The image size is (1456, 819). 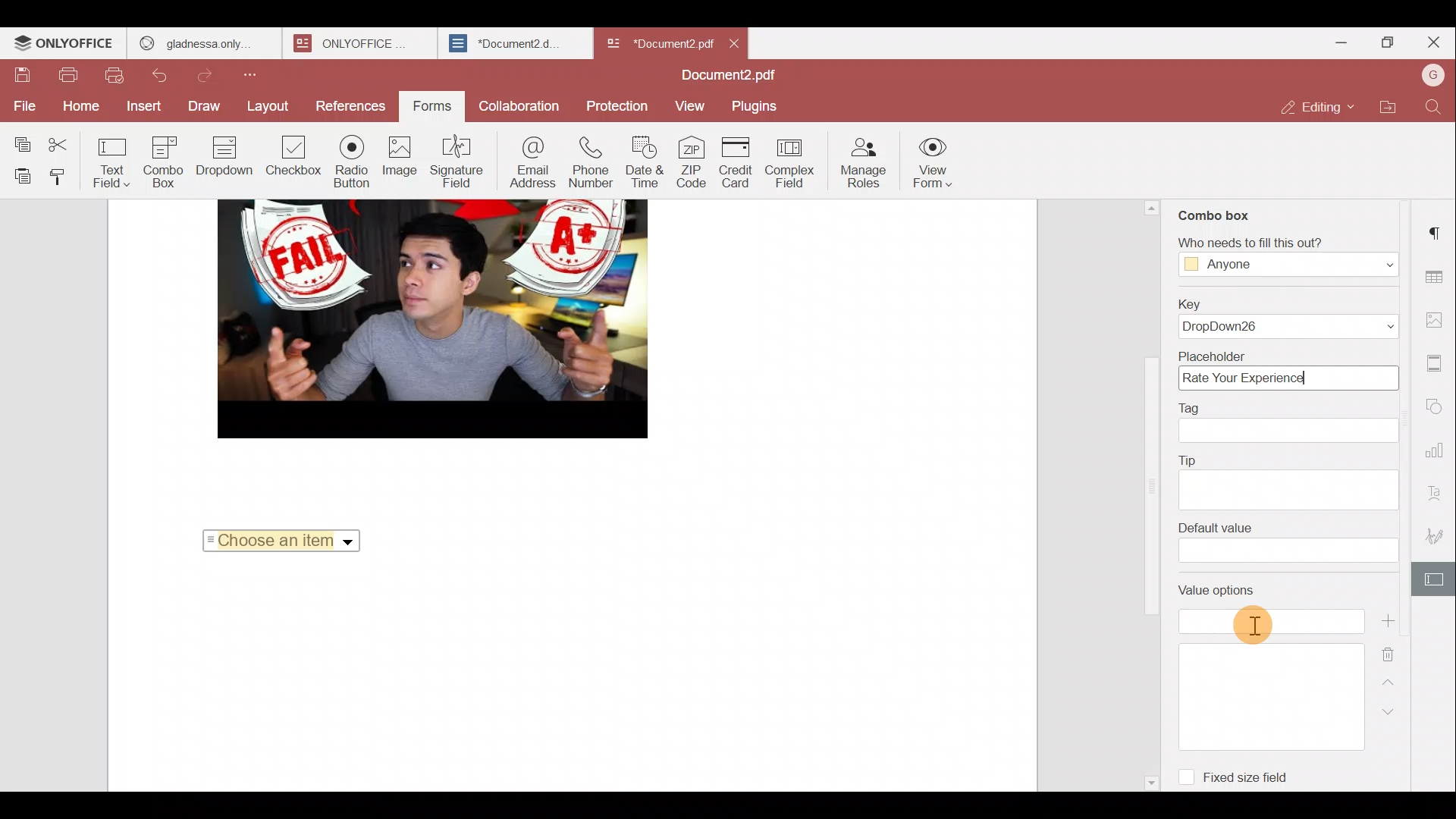 What do you see at coordinates (865, 162) in the screenshot?
I see `Manage roles` at bounding box center [865, 162].